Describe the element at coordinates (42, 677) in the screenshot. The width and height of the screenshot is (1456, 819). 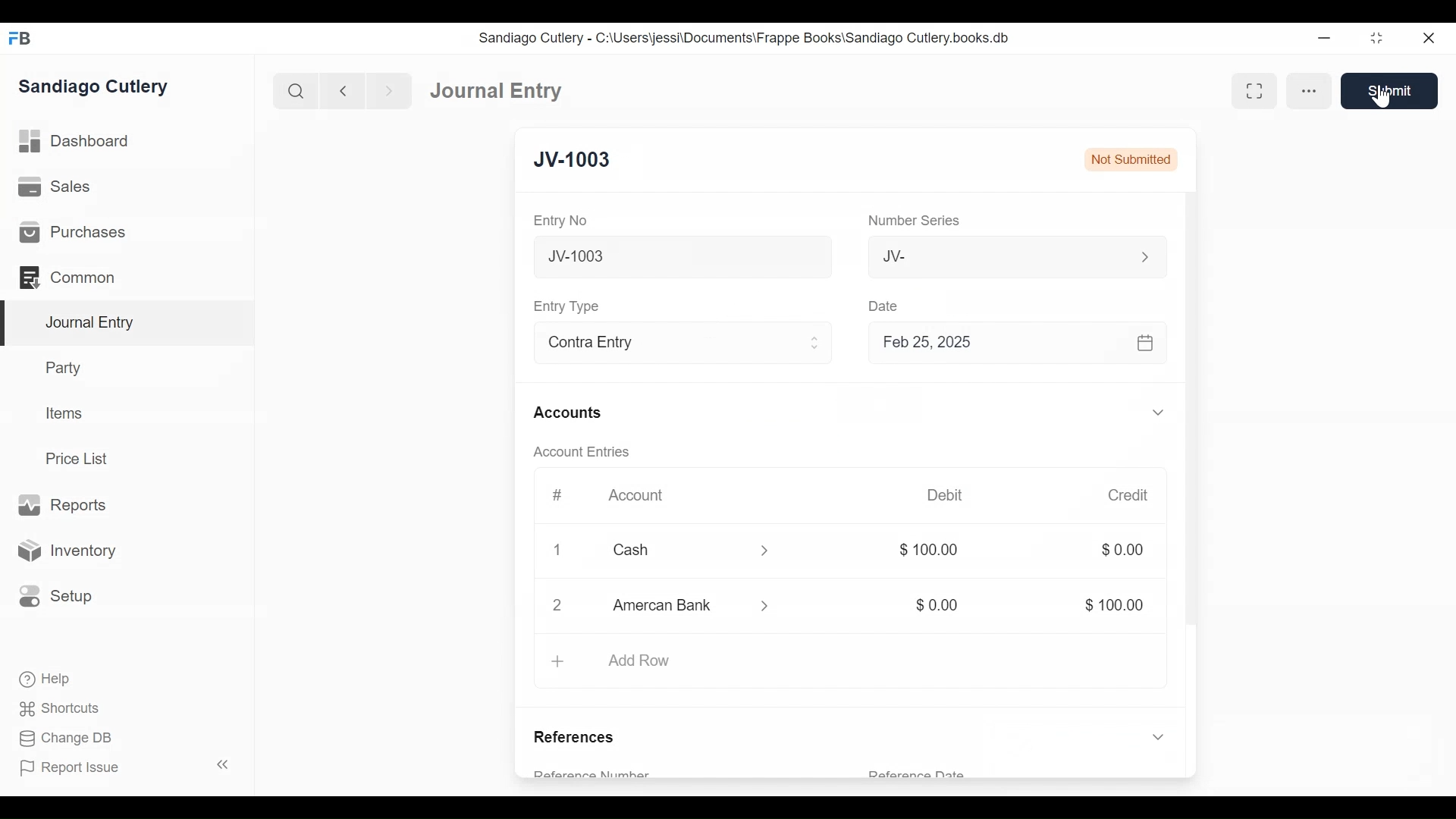
I see `Help` at that location.